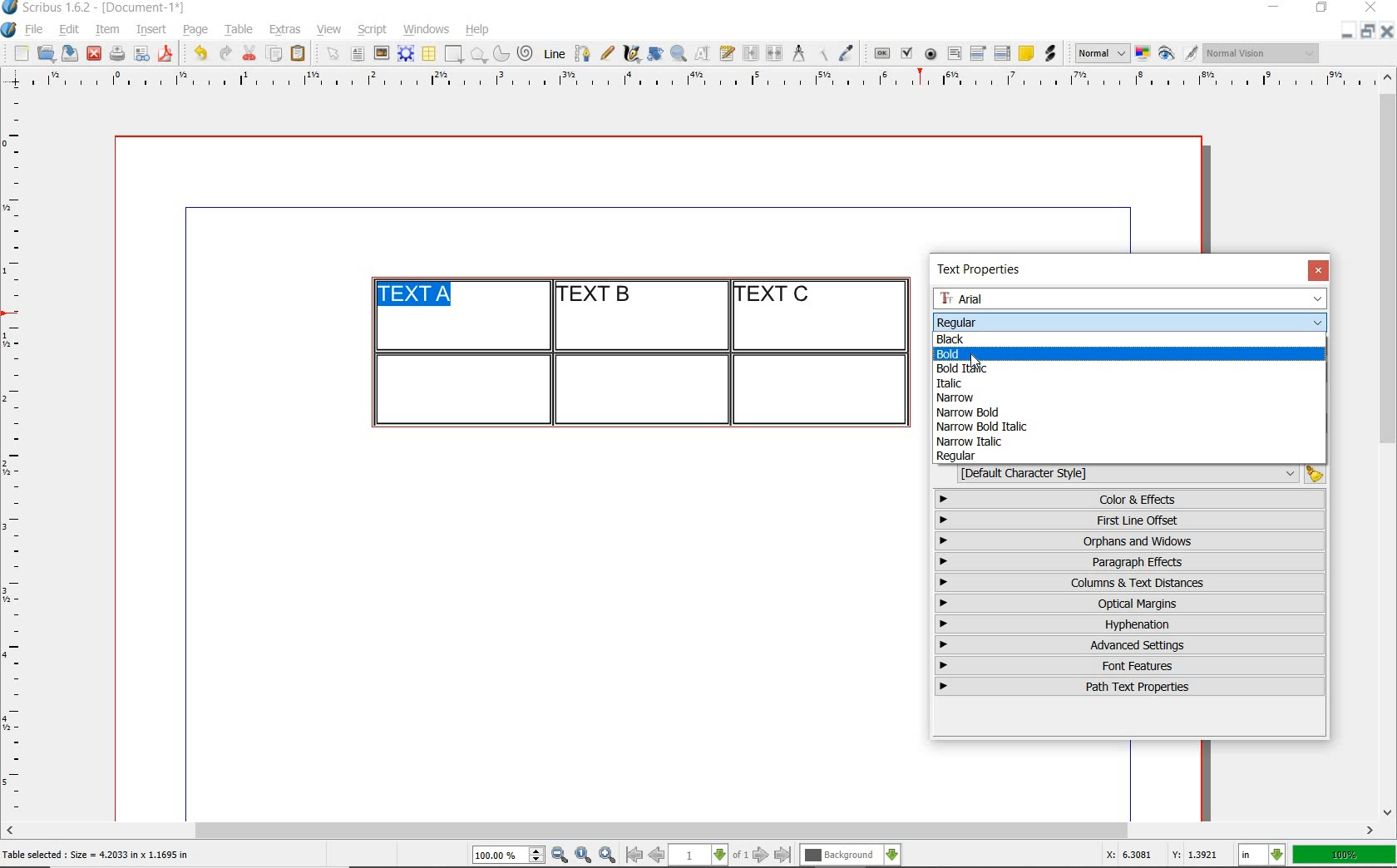 Image resolution: width=1397 pixels, height=868 pixels. Describe the element at coordinates (67, 53) in the screenshot. I see `save` at that location.